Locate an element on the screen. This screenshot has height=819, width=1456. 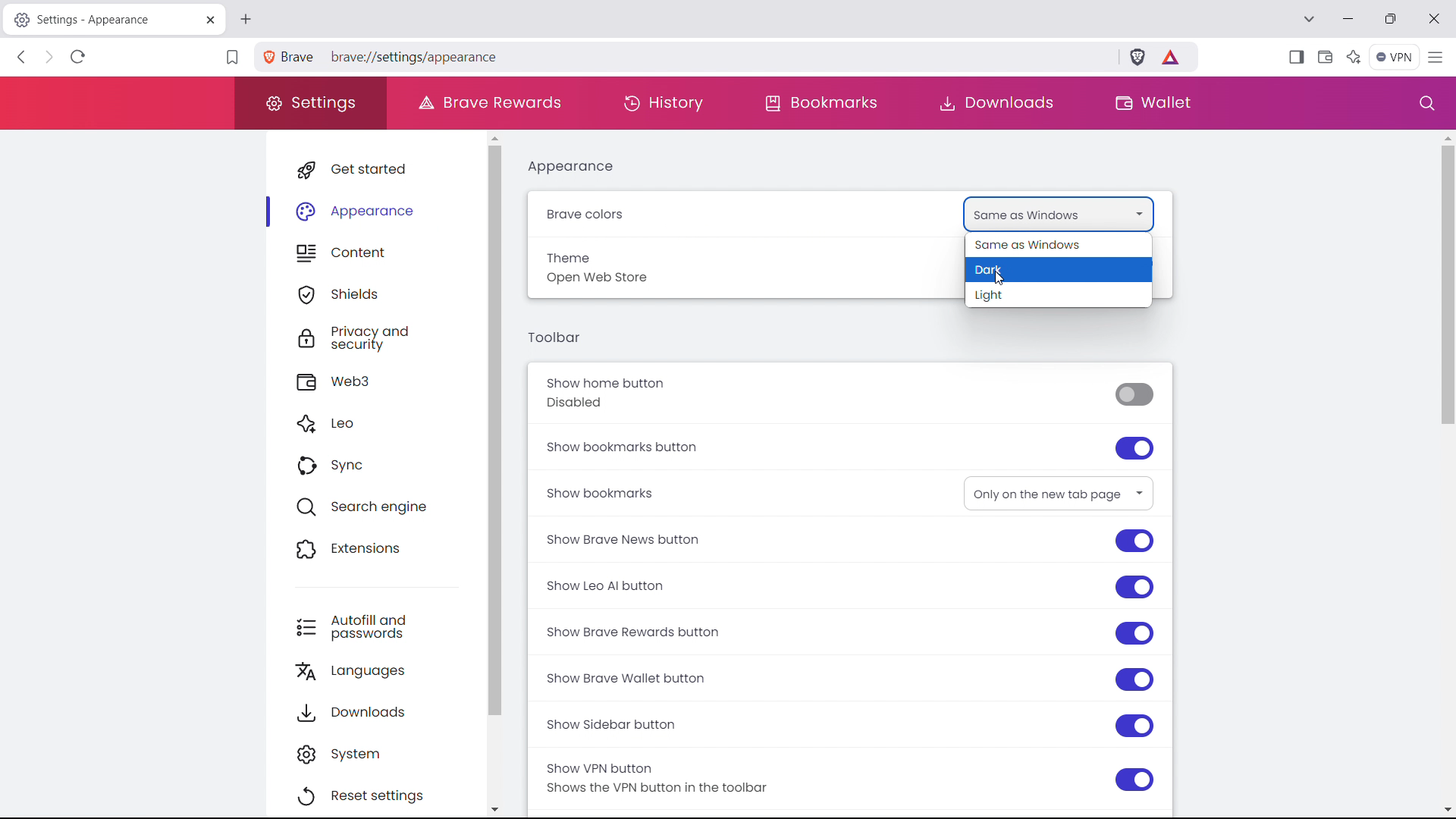
refresh page is located at coordinates (77, 57).